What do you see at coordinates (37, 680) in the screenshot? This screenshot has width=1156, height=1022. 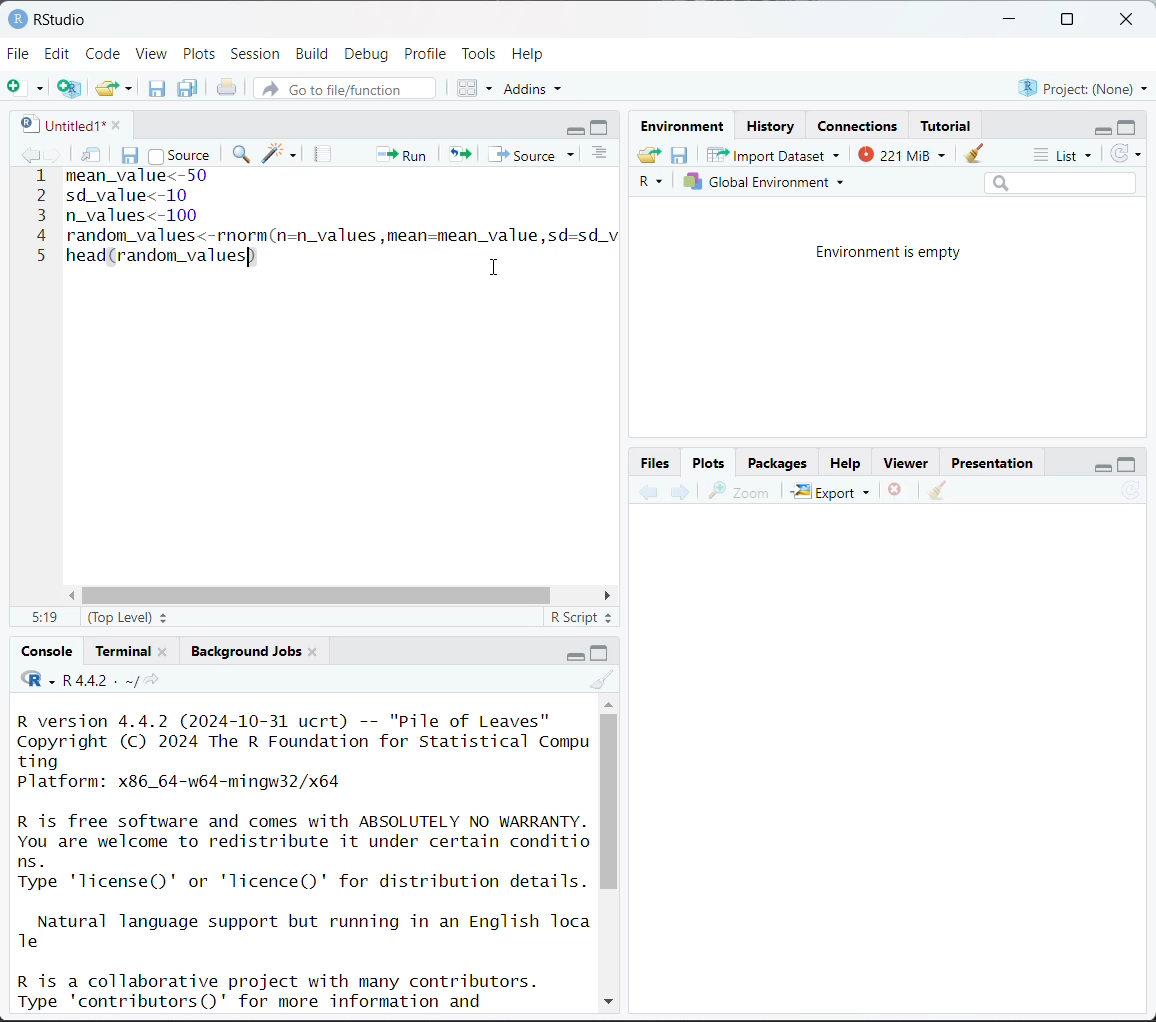 I see `code` at bounding box center [37, 680].